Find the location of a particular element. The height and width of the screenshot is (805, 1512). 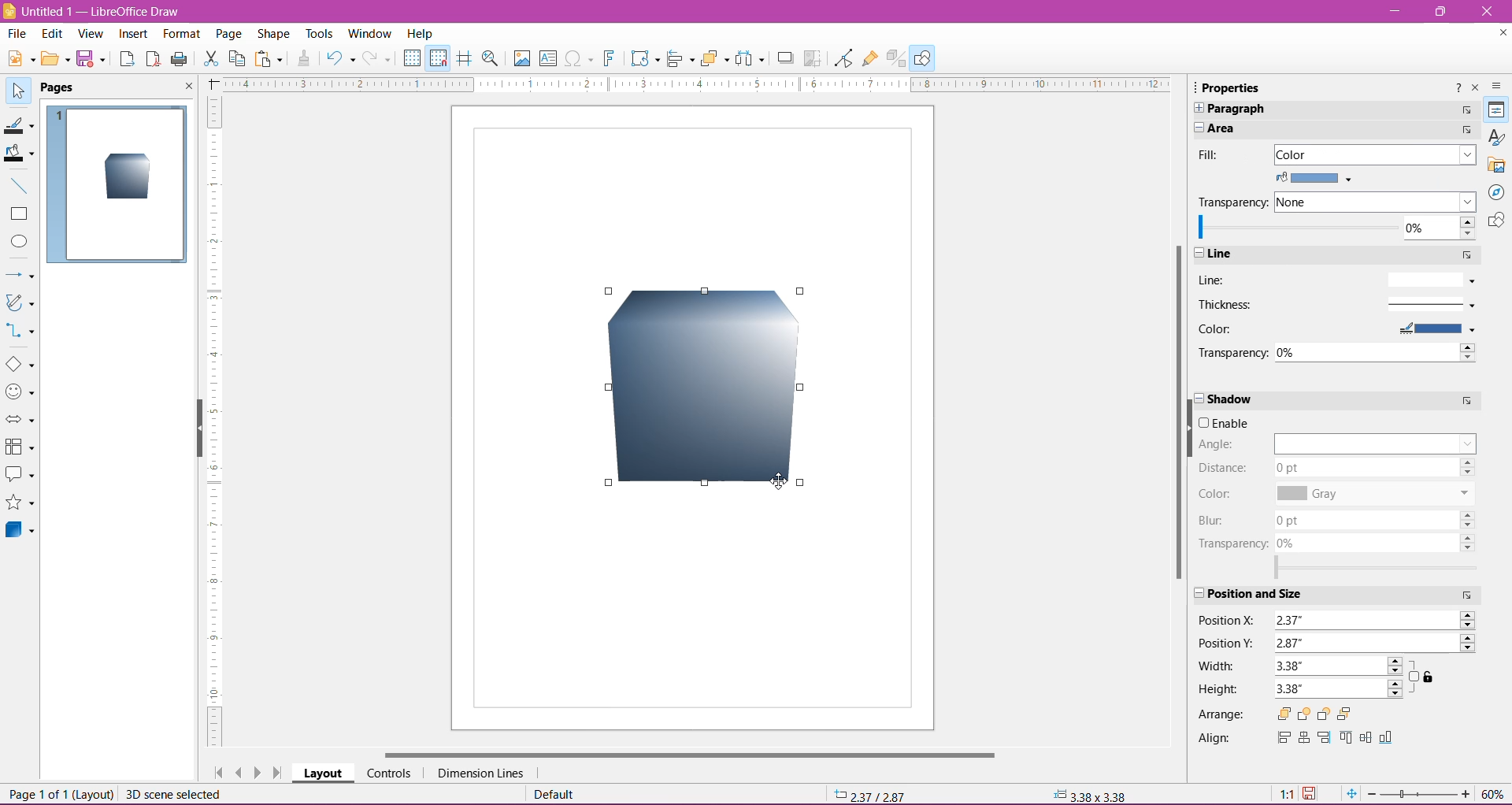

Align is located at coordinates (1216, 738).